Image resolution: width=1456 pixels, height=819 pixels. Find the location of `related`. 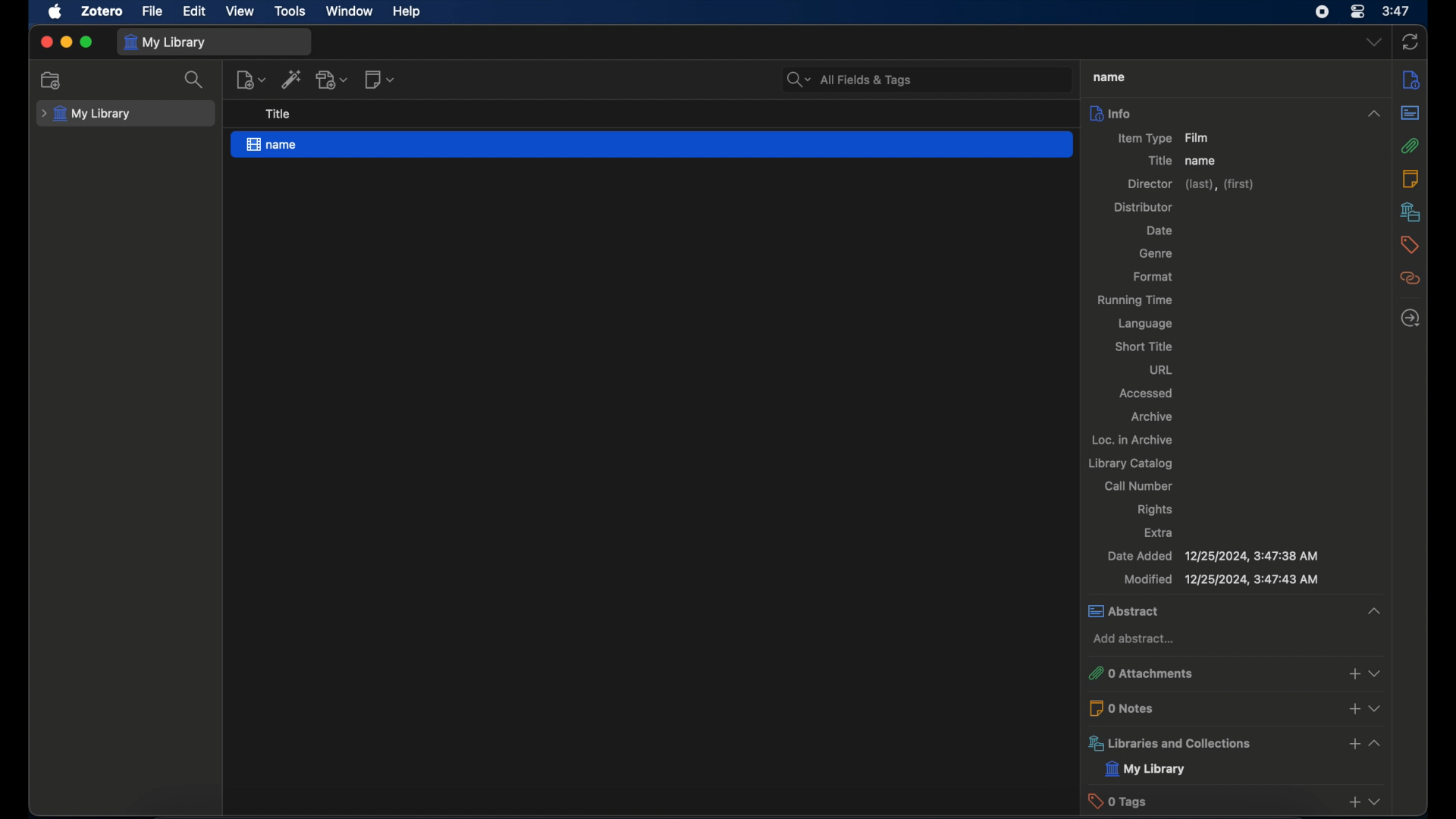

related is located at coordinates (1411, 278).